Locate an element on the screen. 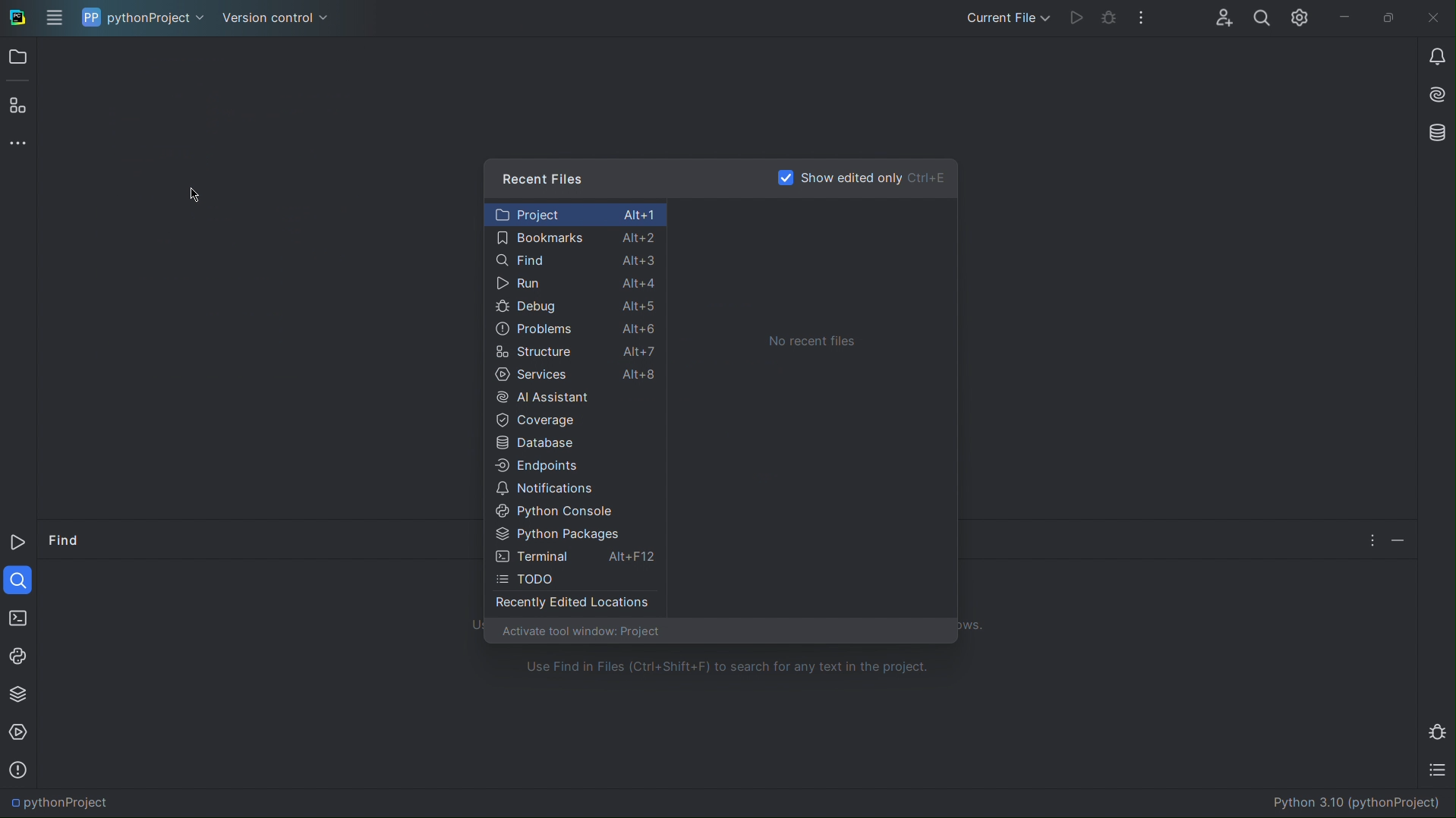  More is located at coordinates (1141, 16).